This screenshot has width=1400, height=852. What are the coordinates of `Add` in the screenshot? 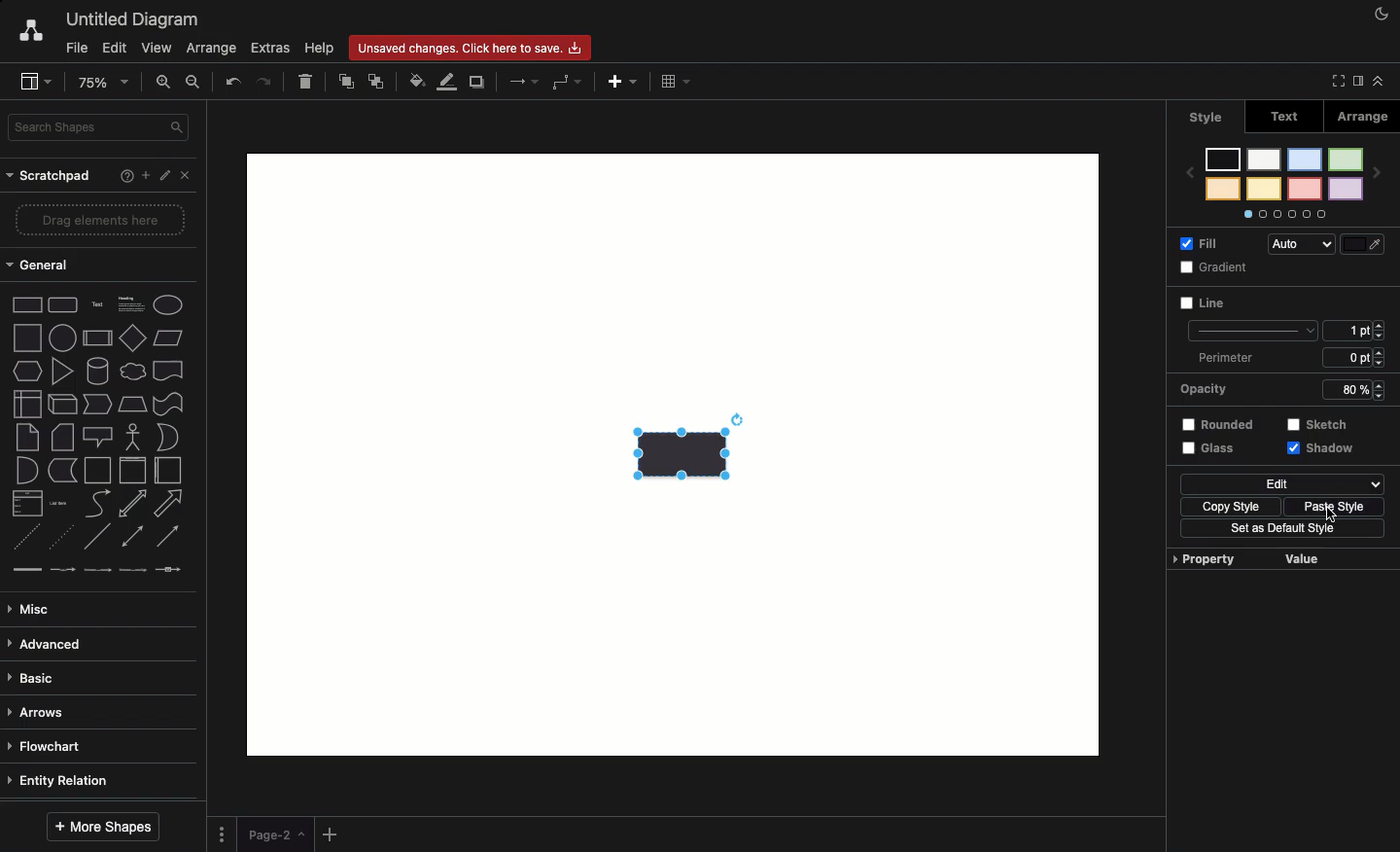 It's located at (144, 175).